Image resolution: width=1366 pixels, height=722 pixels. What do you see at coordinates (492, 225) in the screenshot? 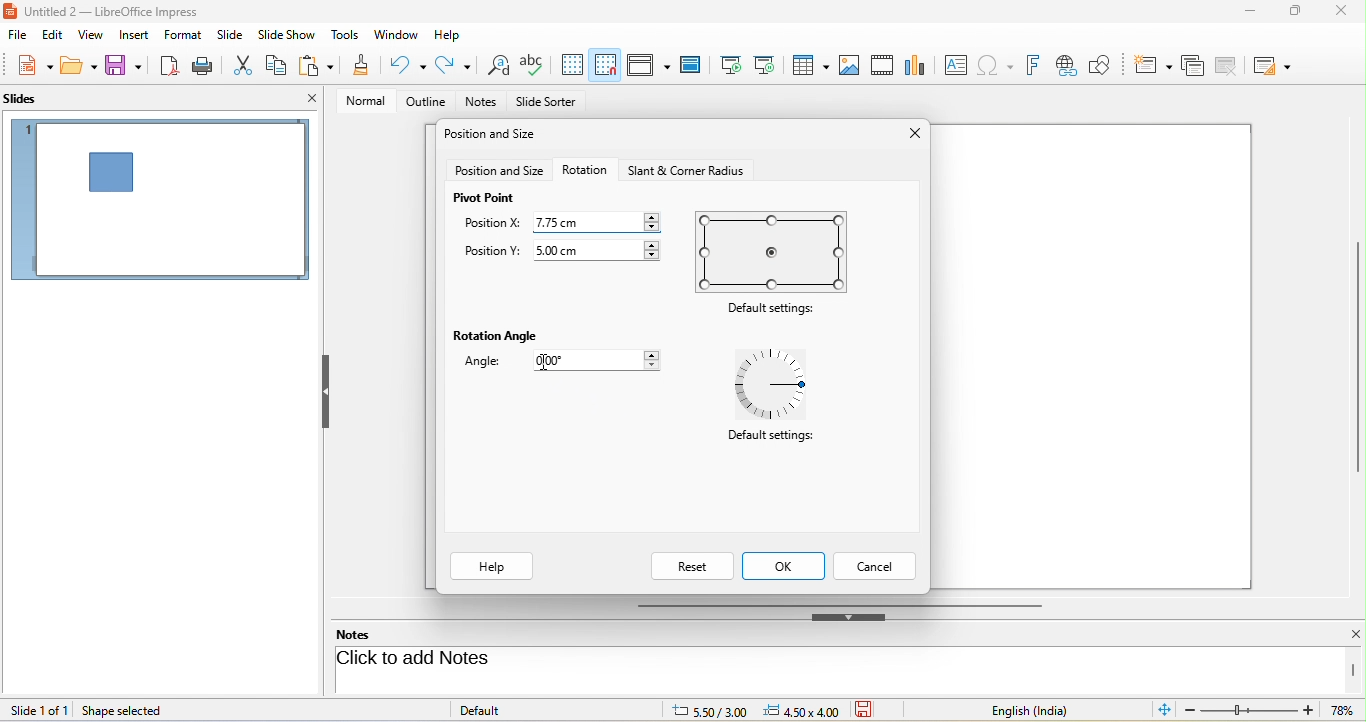
I see `position x` at bounding box center [492, 225].